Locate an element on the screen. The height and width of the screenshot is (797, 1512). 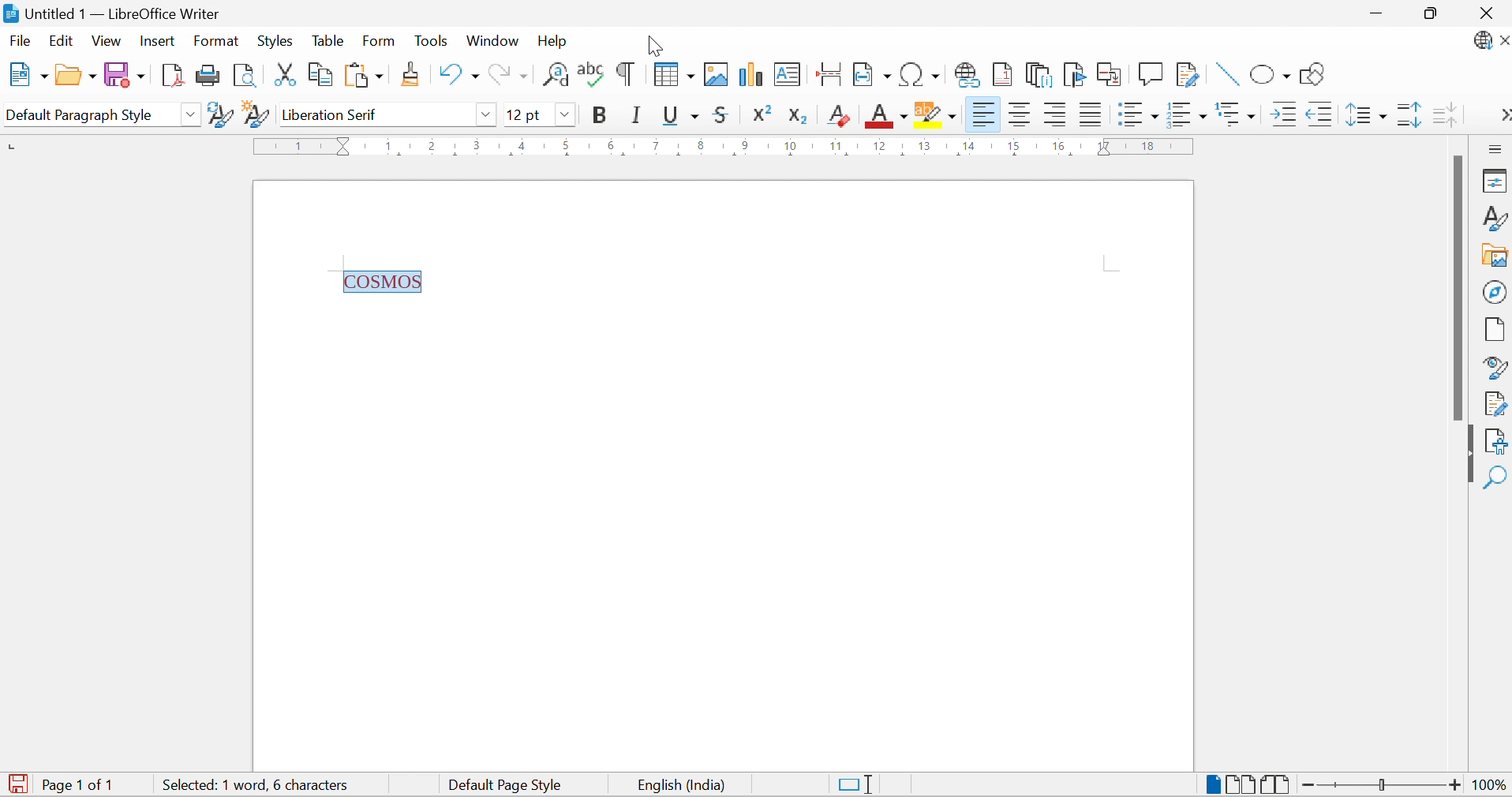
Drop Down is located at coordinates (485, 114).